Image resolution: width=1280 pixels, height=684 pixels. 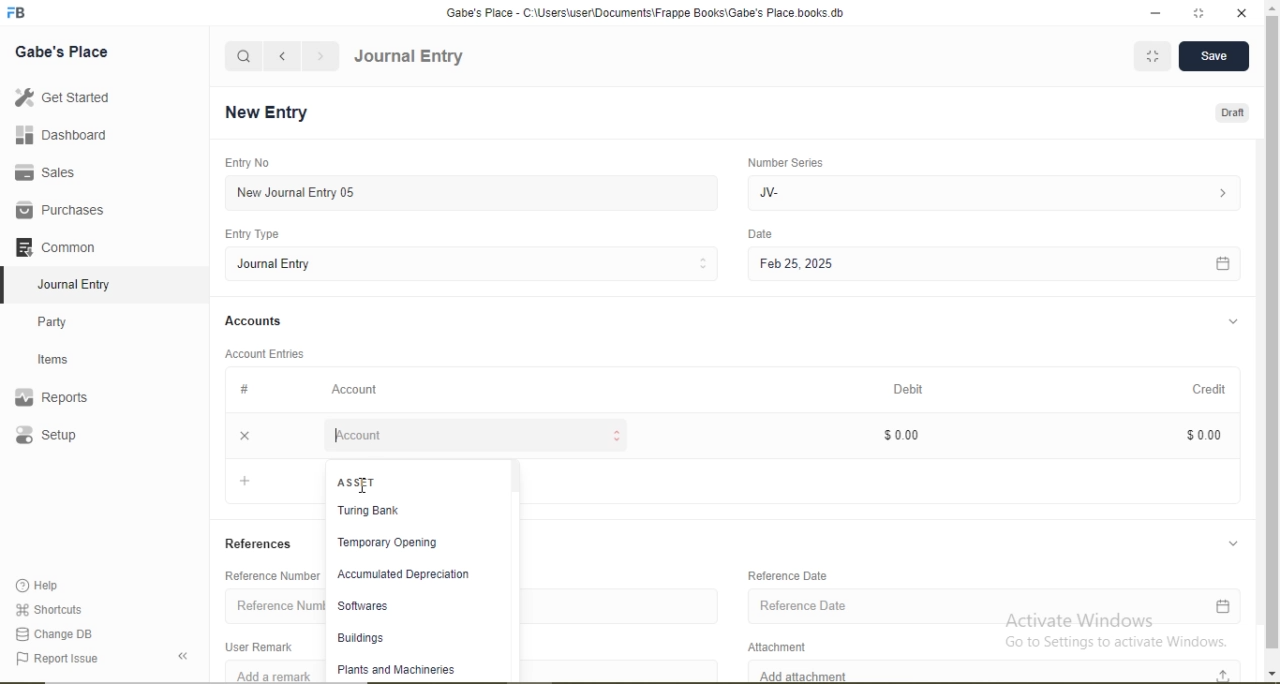 I want to click on Accumulated Depreciation, so click(x=404, y=575).